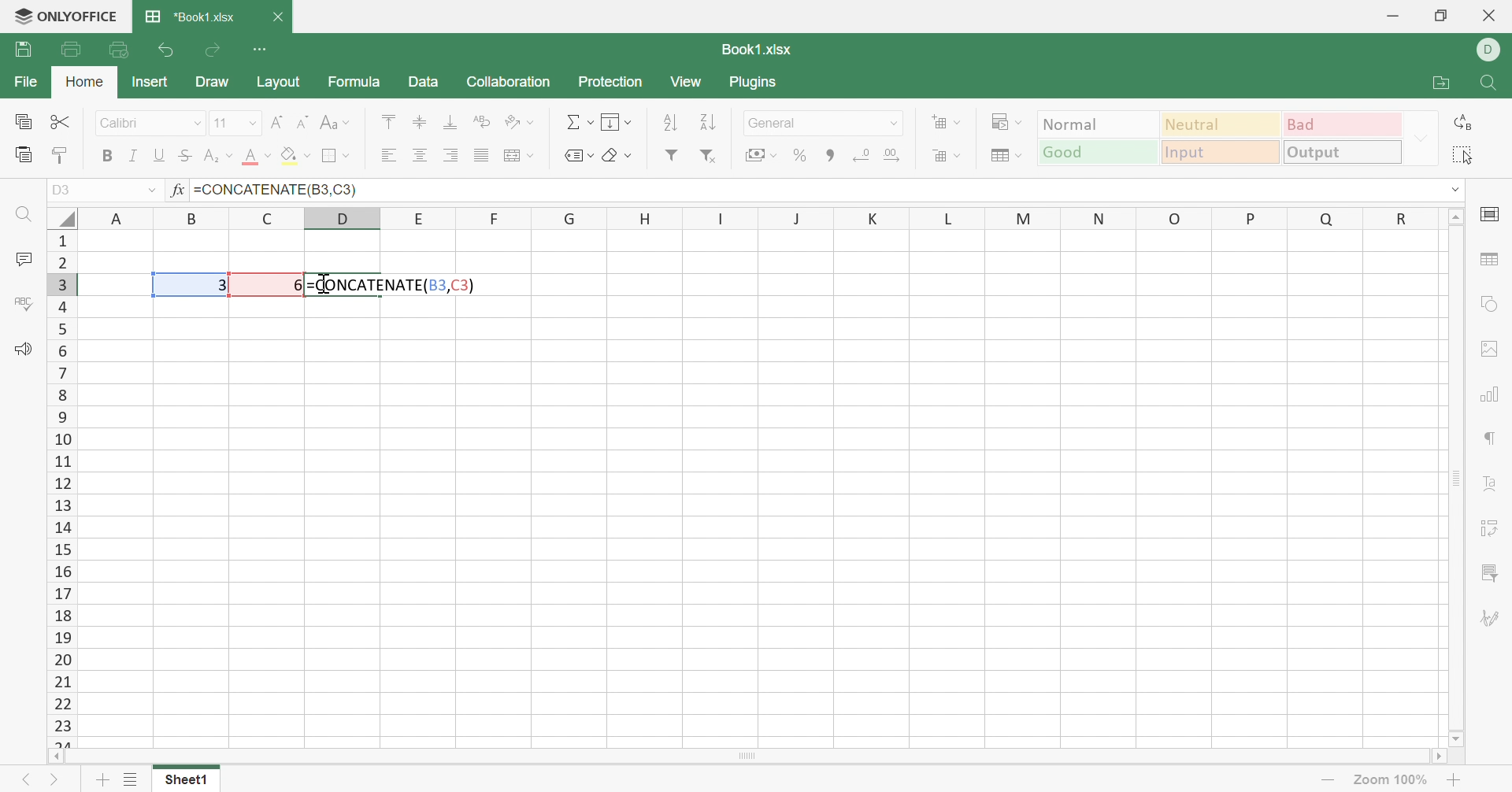 The height and width of the screenshot is (792, 1512). I want to click on Protection, so click(610, 82).